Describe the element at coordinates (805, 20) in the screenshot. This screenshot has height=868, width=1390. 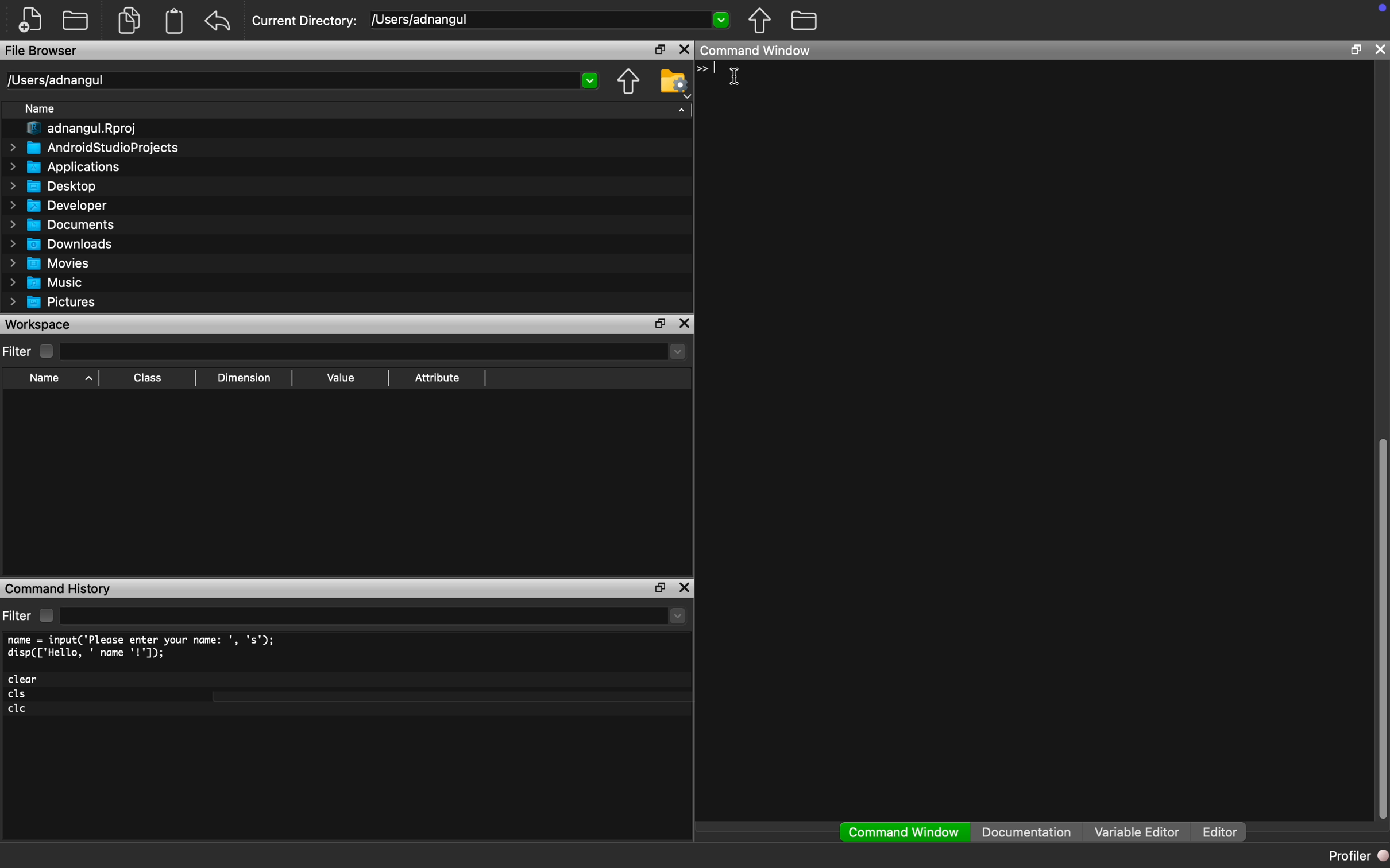
I see `folder` at that location.